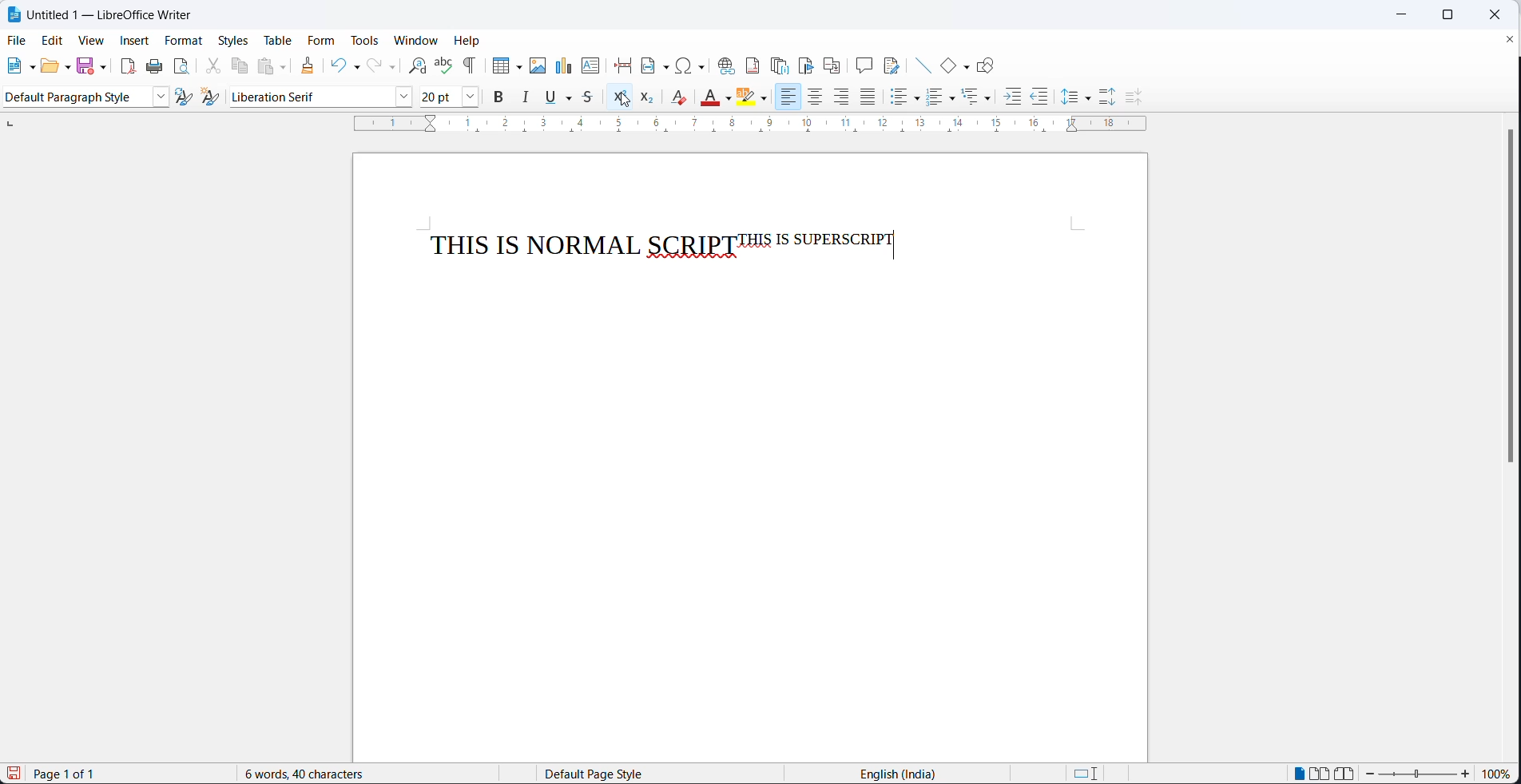 The width and height of the screenshot is (1521, 784). Describe the element at coordinates (964, 65) in the screenshot. I see `basic shapes options` at that location.